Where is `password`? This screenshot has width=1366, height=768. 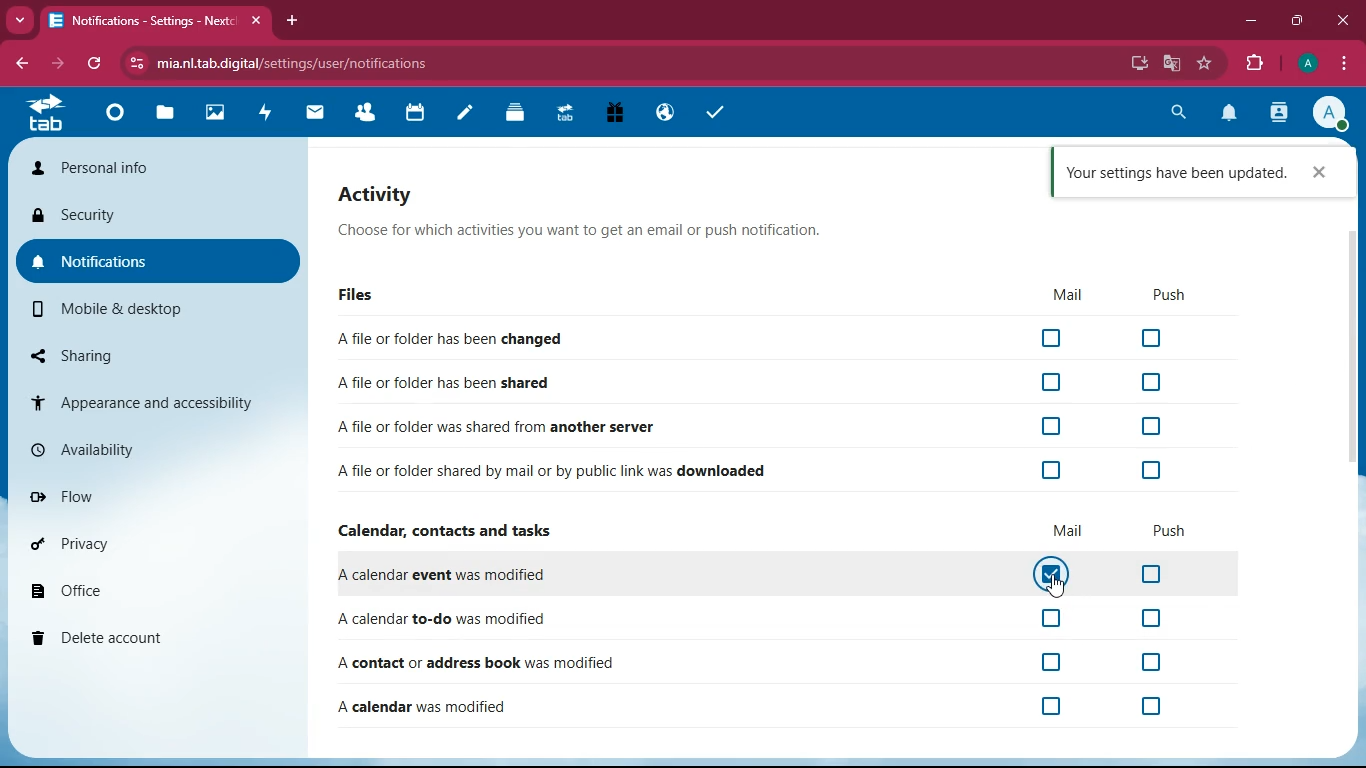 password is located at coordinates (1105, 63).